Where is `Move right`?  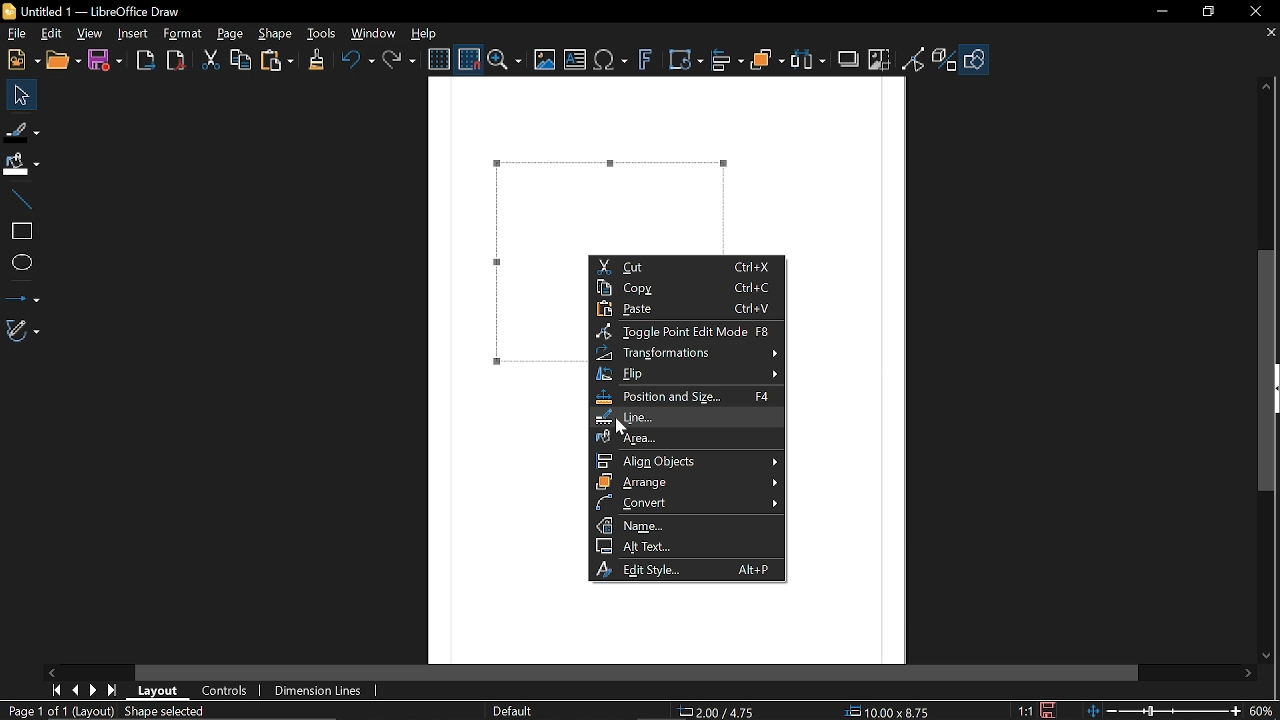
Move right is located at coordinates (1251, 674).